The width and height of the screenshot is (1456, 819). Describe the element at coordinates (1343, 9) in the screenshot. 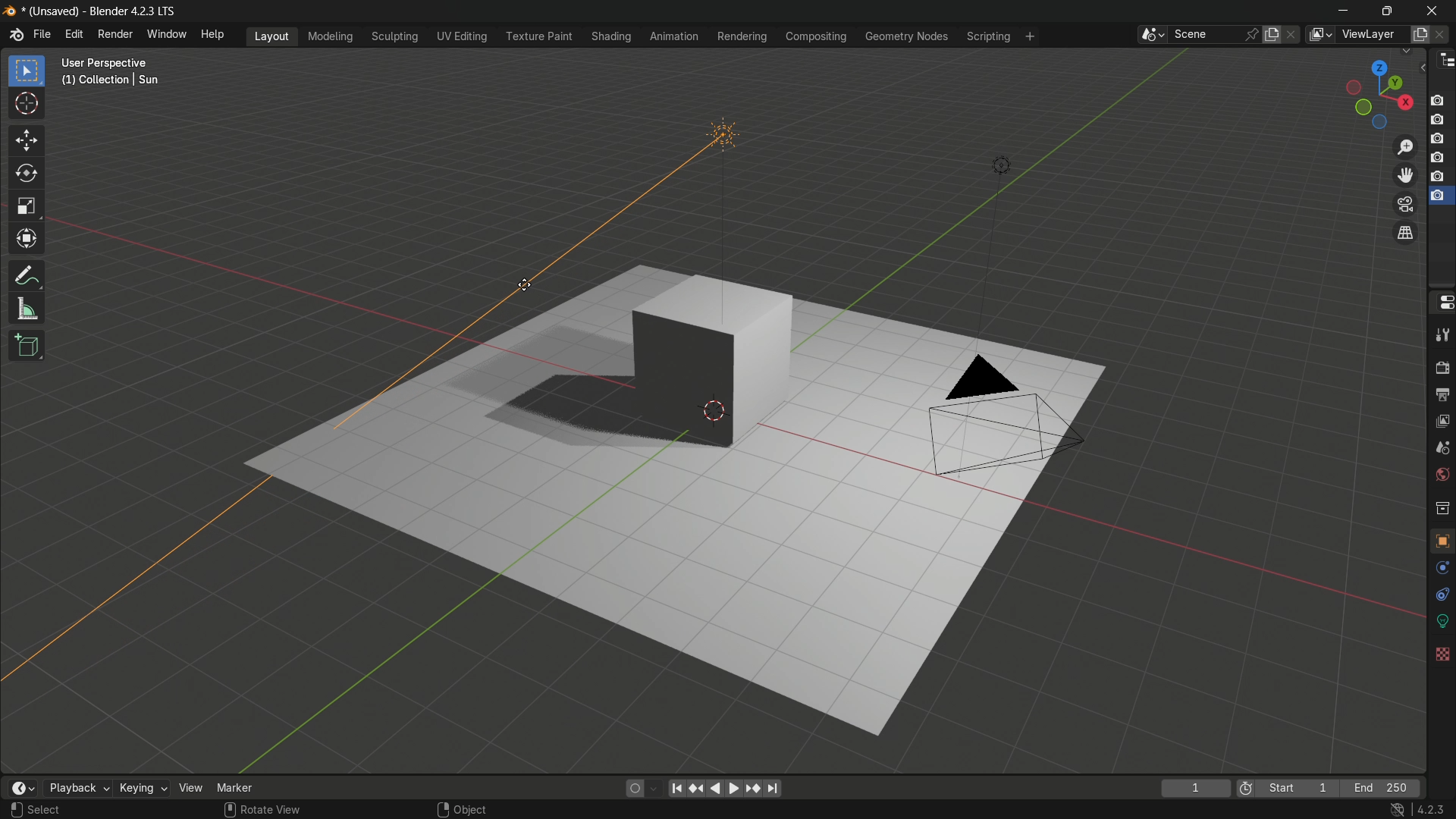

I see `minimize` at that location.